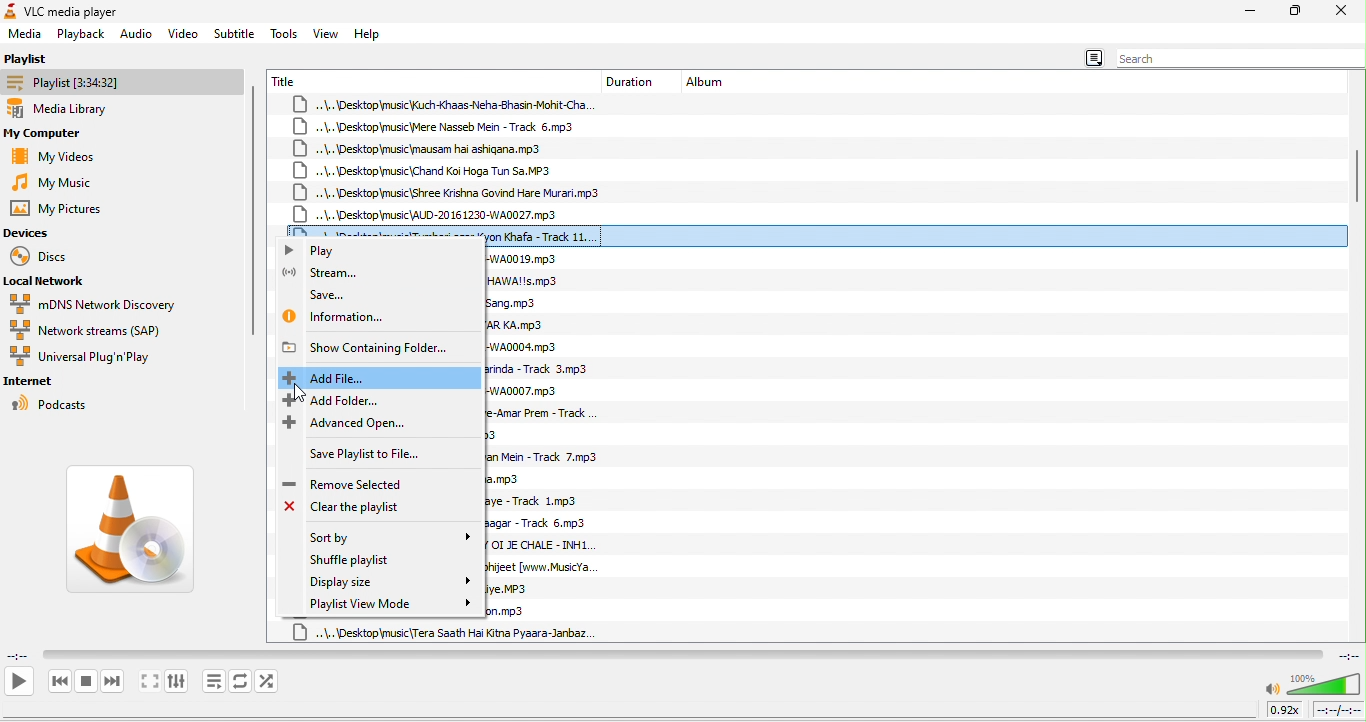 Image resolution: width=1366 pixels, height=722 pixels. I want to click on my videos, so click(62, 157).